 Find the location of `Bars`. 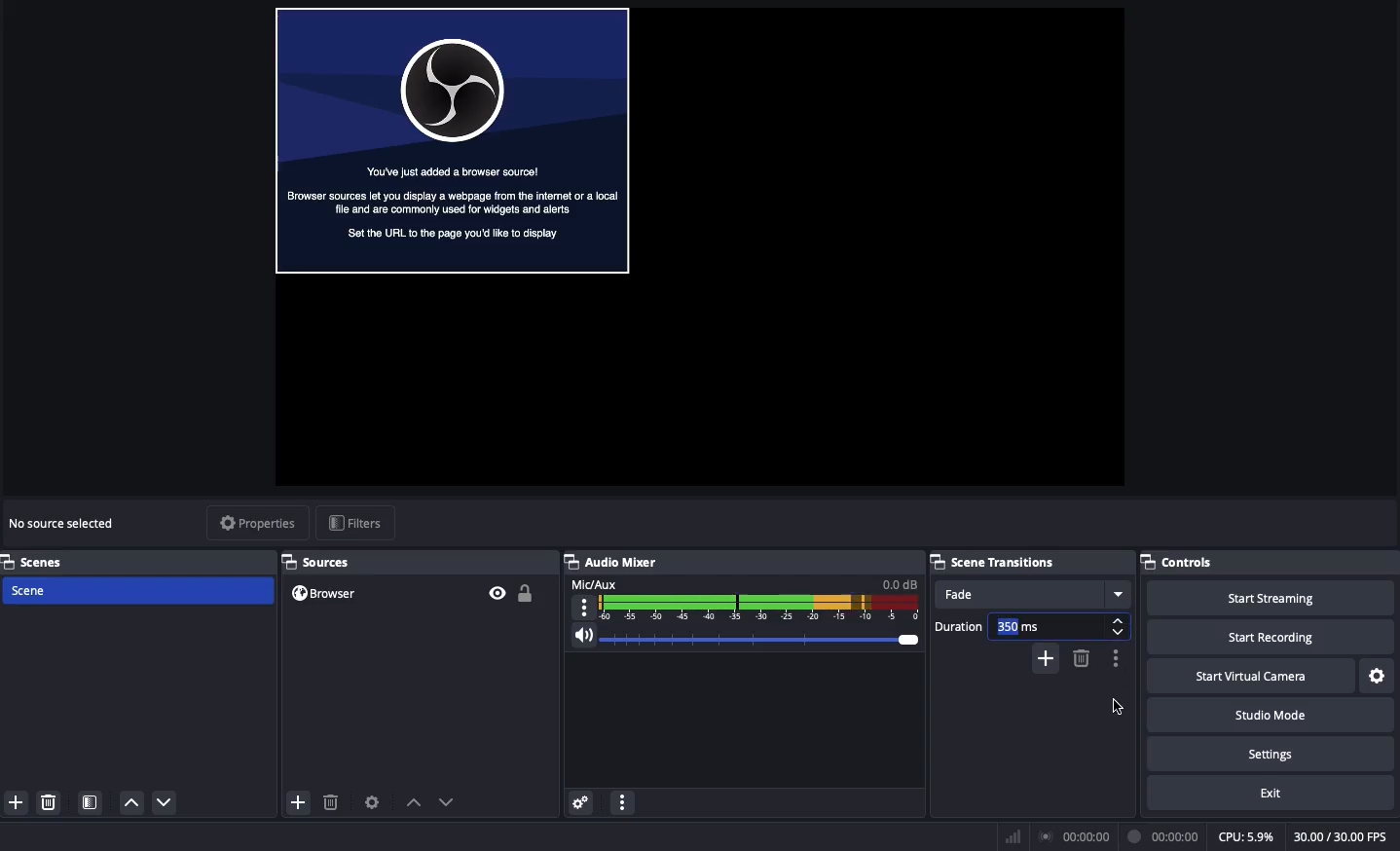

Bars is located at coordinates (1010, 835).